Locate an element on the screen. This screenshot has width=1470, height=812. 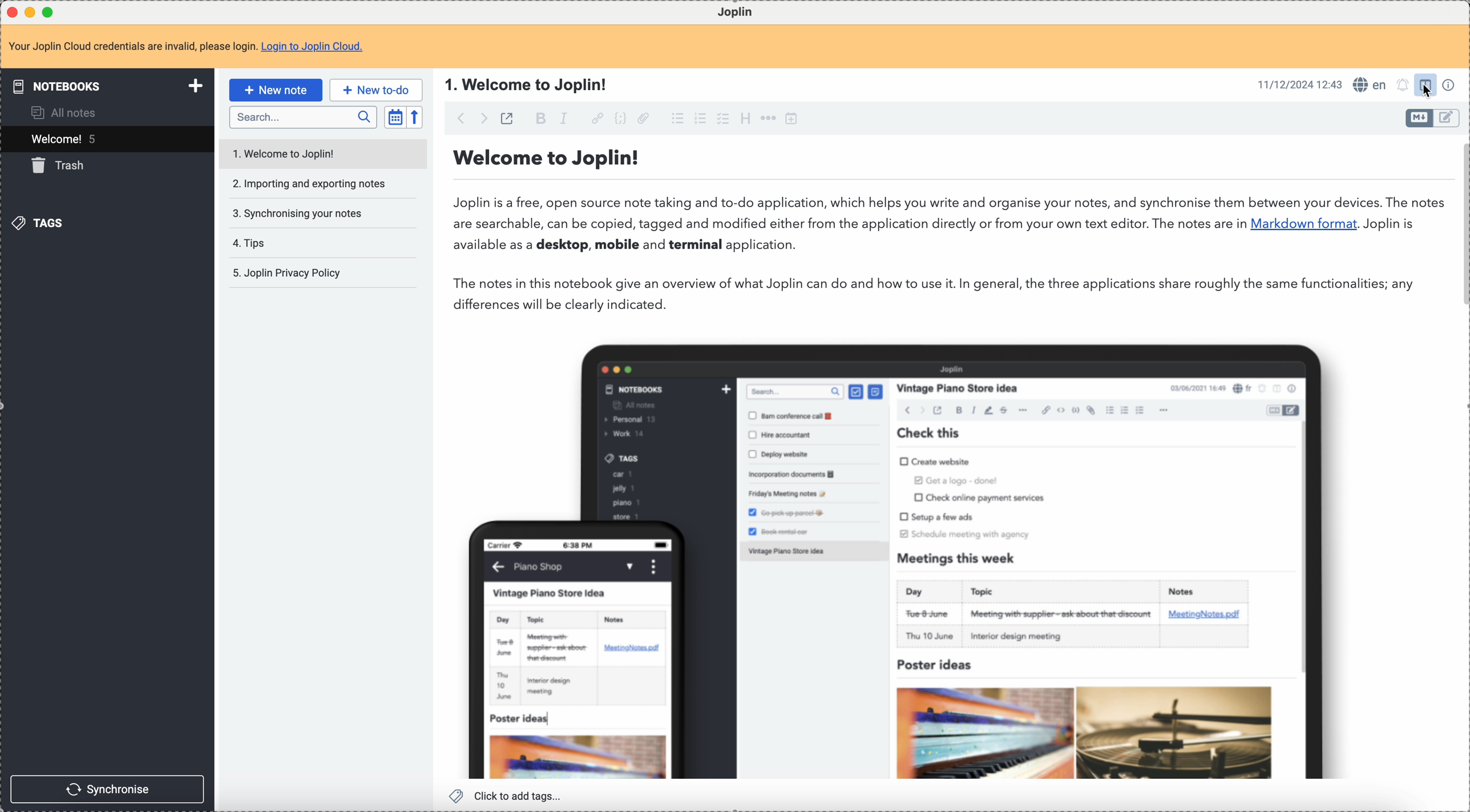
minimize is located at coordinates (30, 11).